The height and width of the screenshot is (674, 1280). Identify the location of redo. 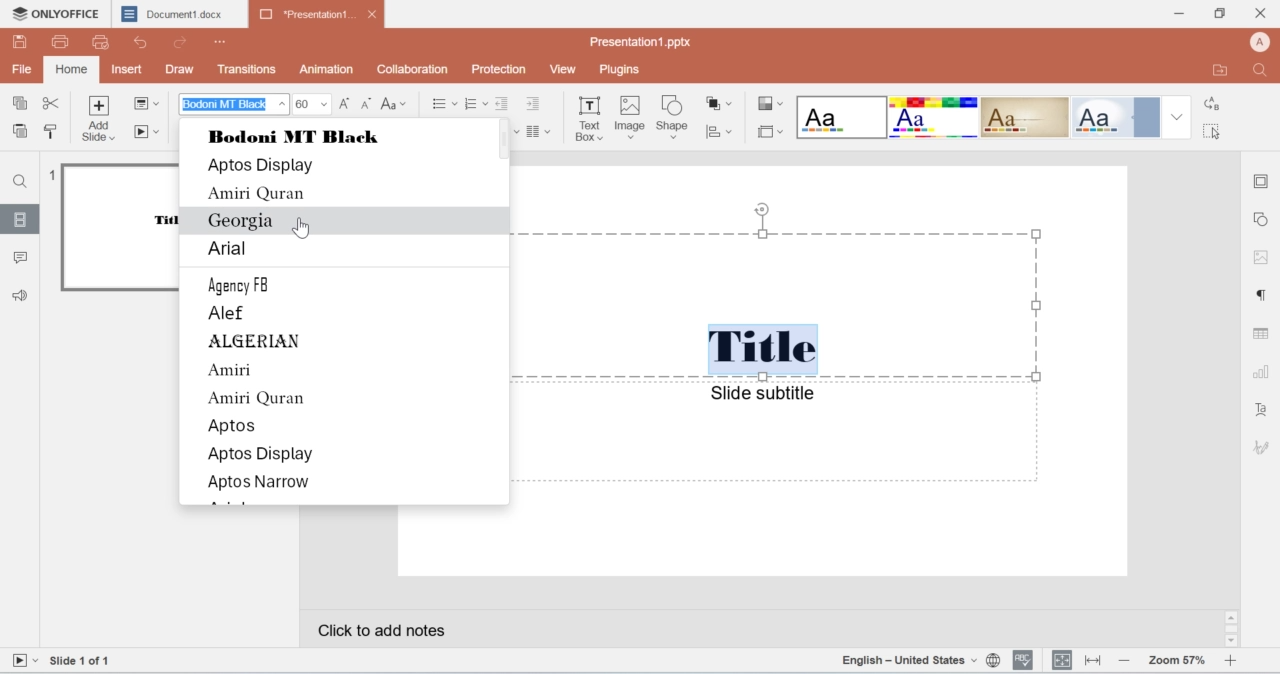
(182, 45).